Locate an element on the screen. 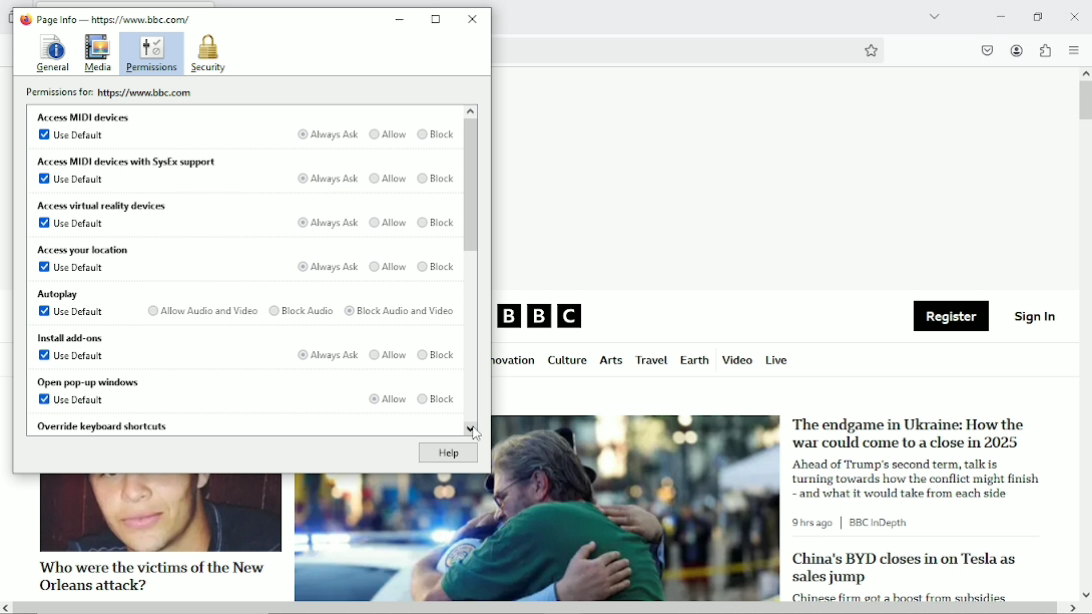 The width and height of the screenshot is (1092, 614). Extensions is located at coordinates (1044, 50).